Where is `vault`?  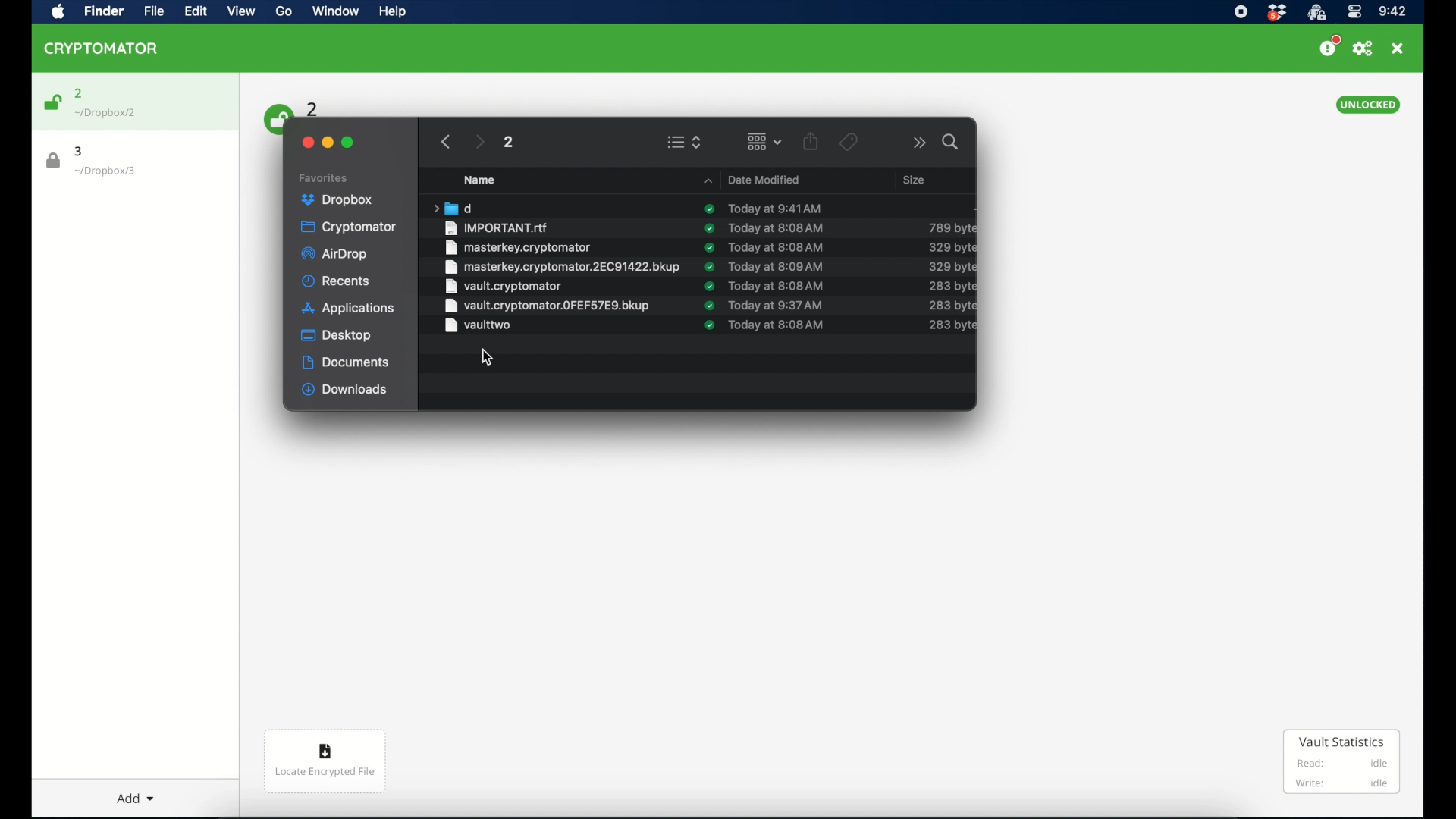
vault is located at coordinates (502, 286).